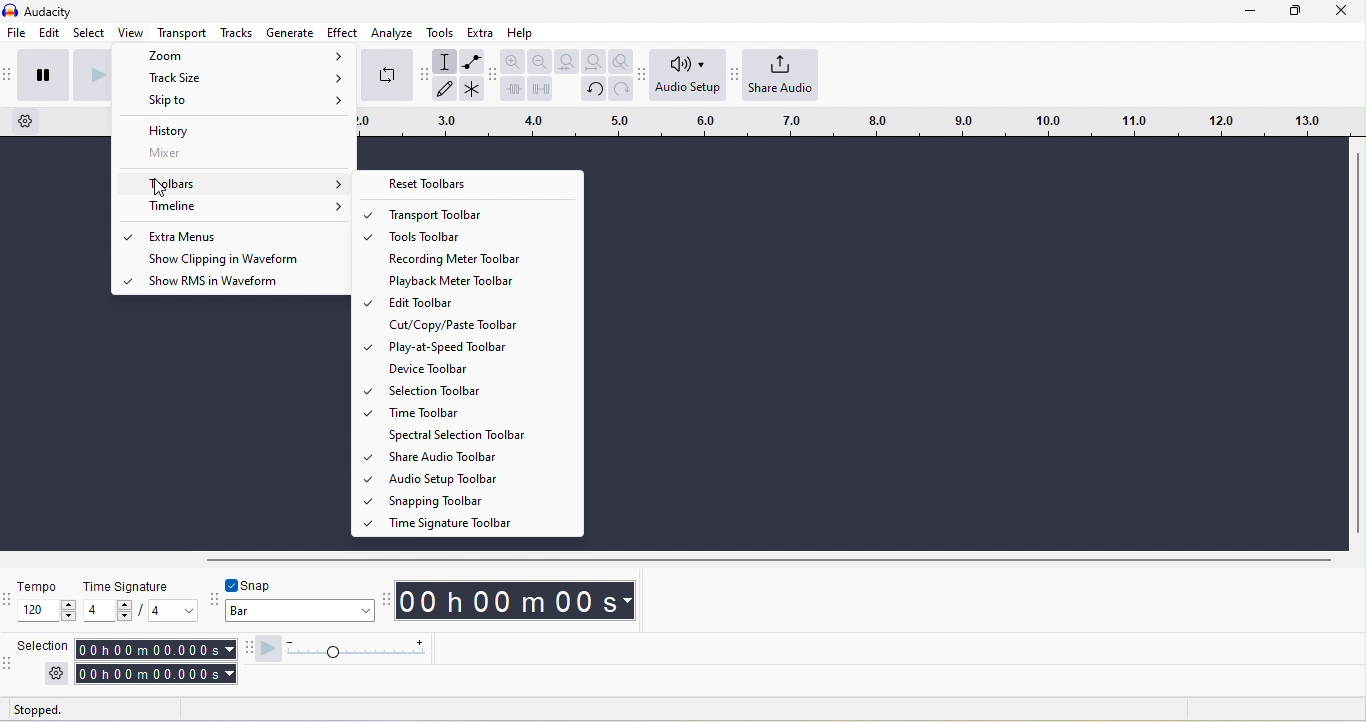 The height and width of the screenshot is (722, 1366). Describe the element at coordinates (37, 712) in the screenshot. I see `status: stopped` at that location.